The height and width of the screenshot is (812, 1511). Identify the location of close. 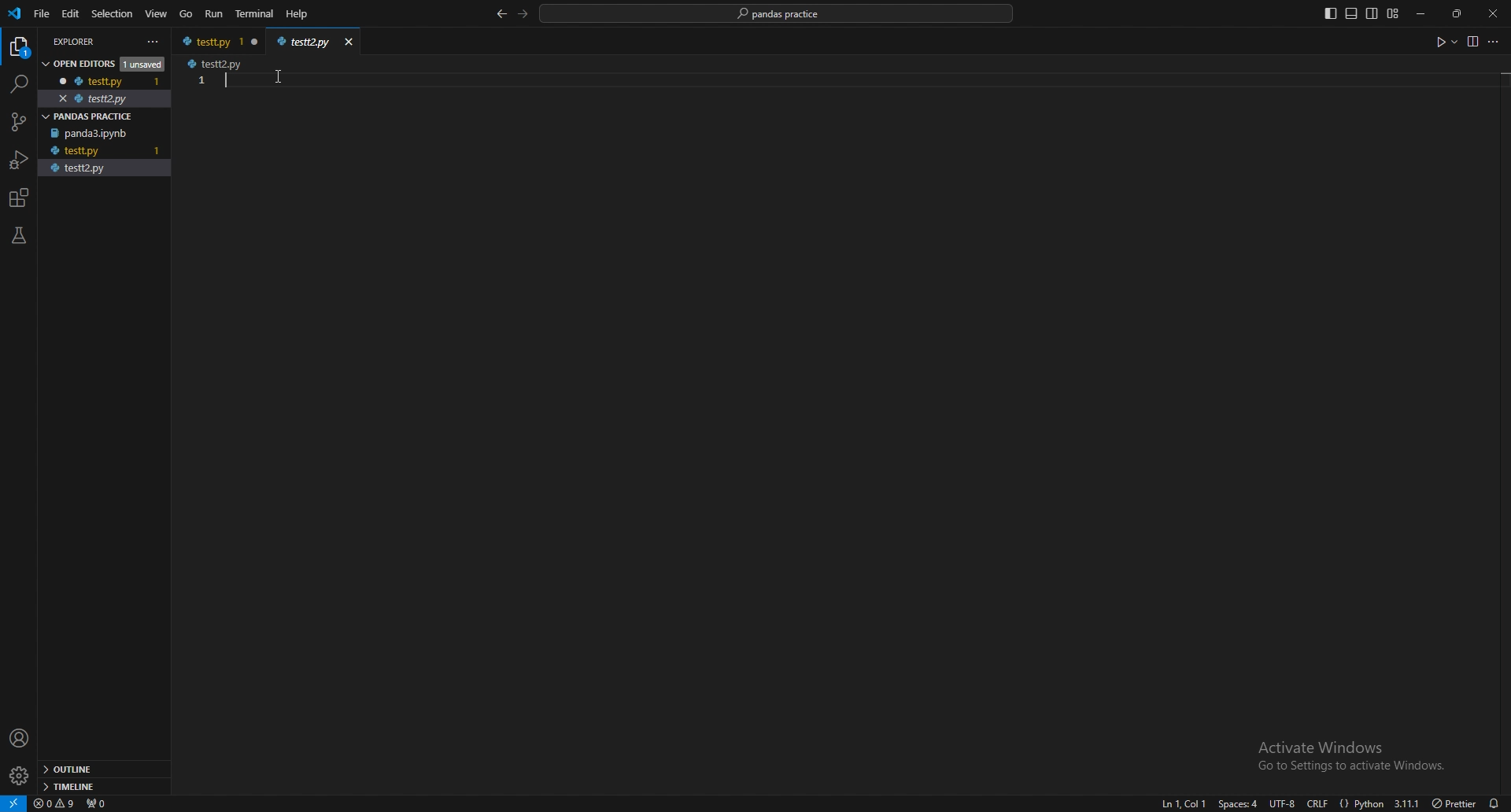
(1493, 13).